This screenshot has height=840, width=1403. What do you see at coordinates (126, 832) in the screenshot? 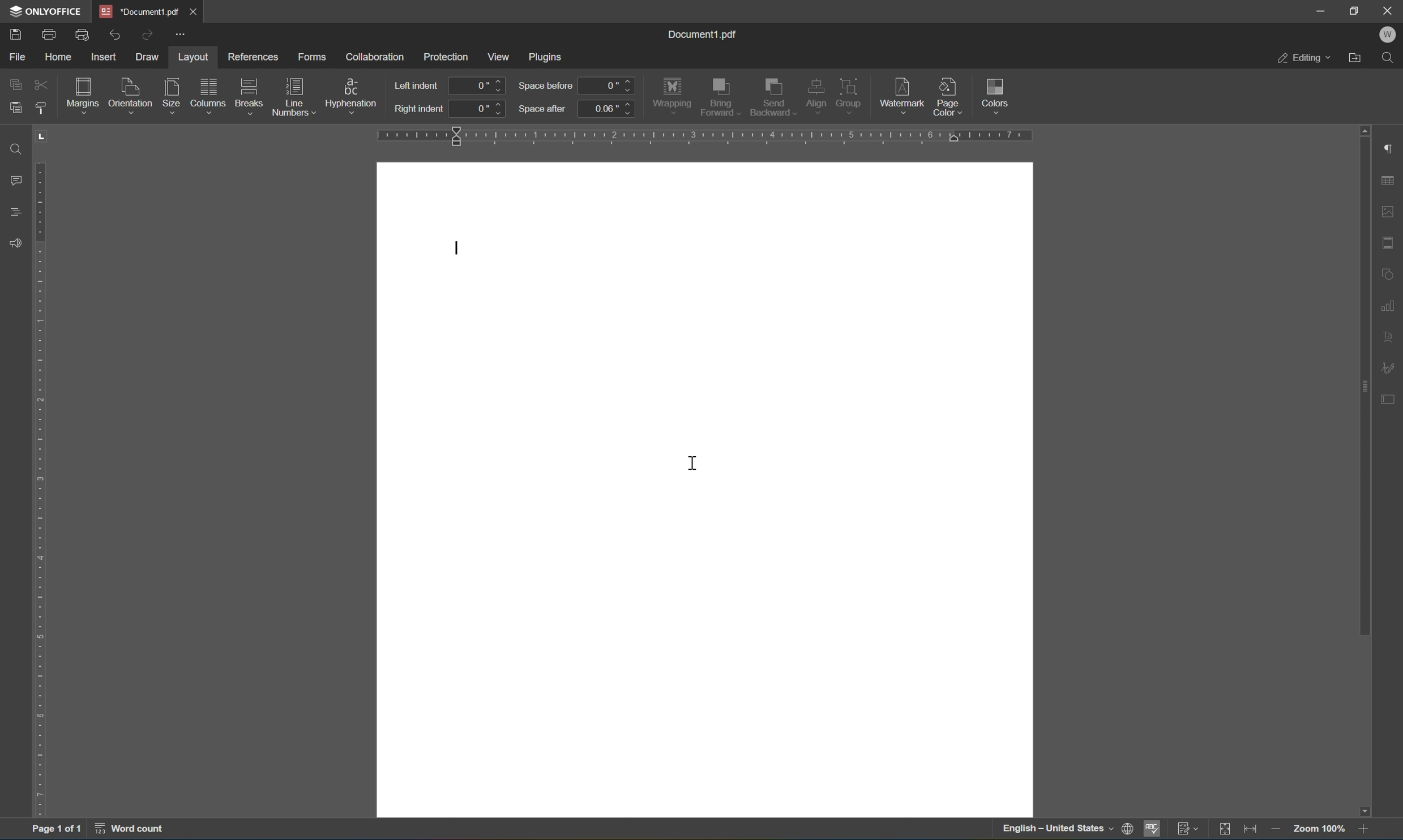
I see `word count` at bounding box center [126, 832].